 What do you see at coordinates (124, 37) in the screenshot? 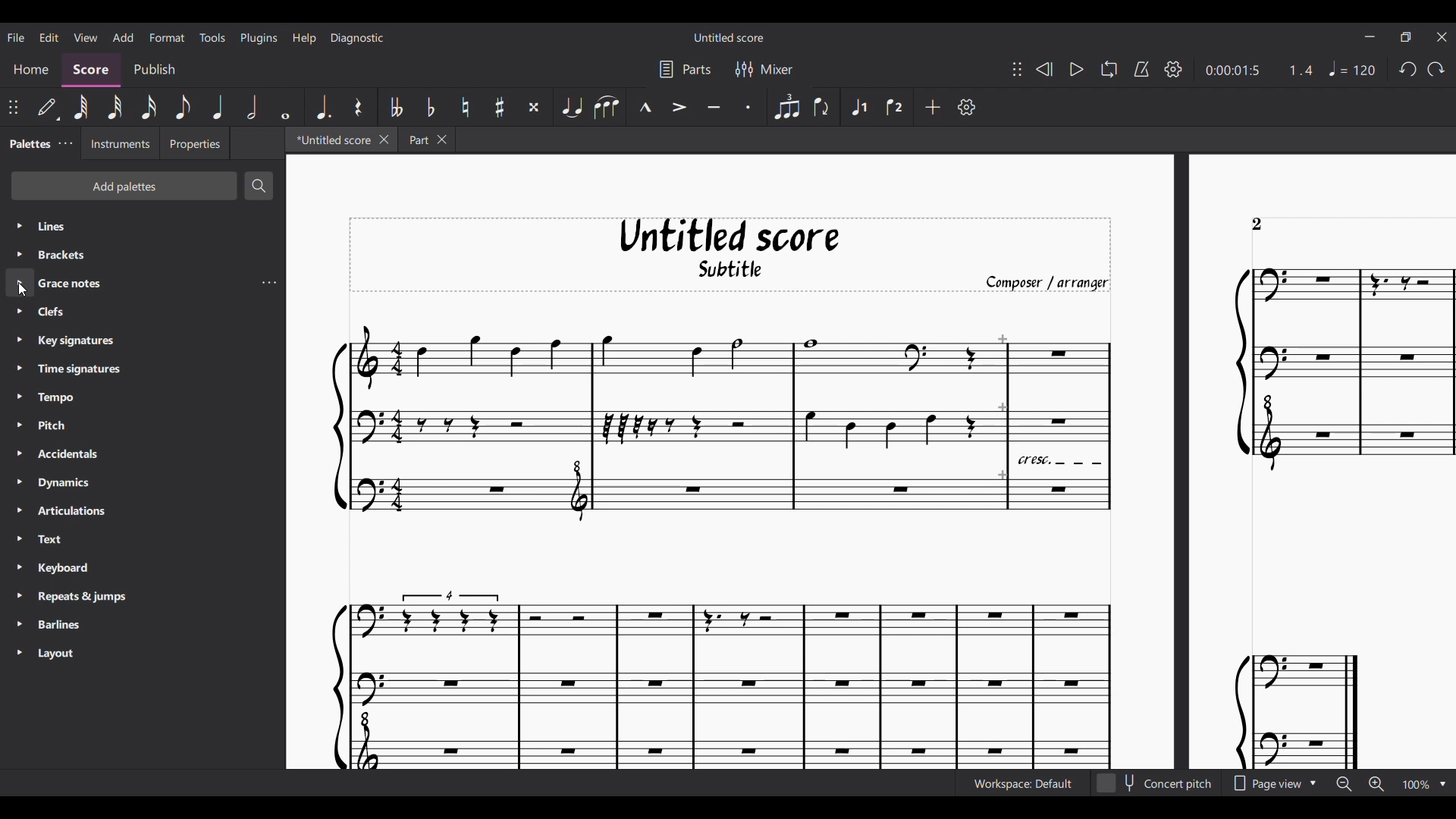
I see `Add menu` at bounding box center [124, 37].